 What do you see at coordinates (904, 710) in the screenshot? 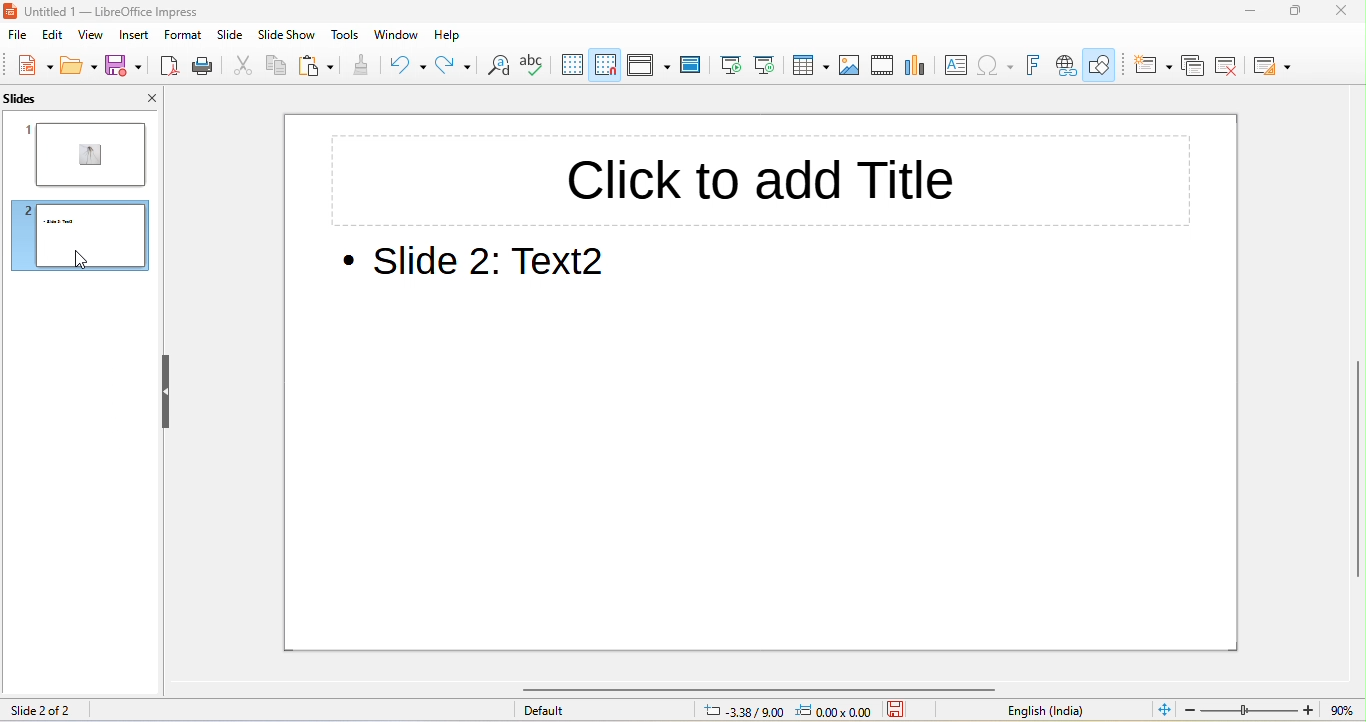
I see `the document has not been modified since last save` at bounding box center [904, 710].